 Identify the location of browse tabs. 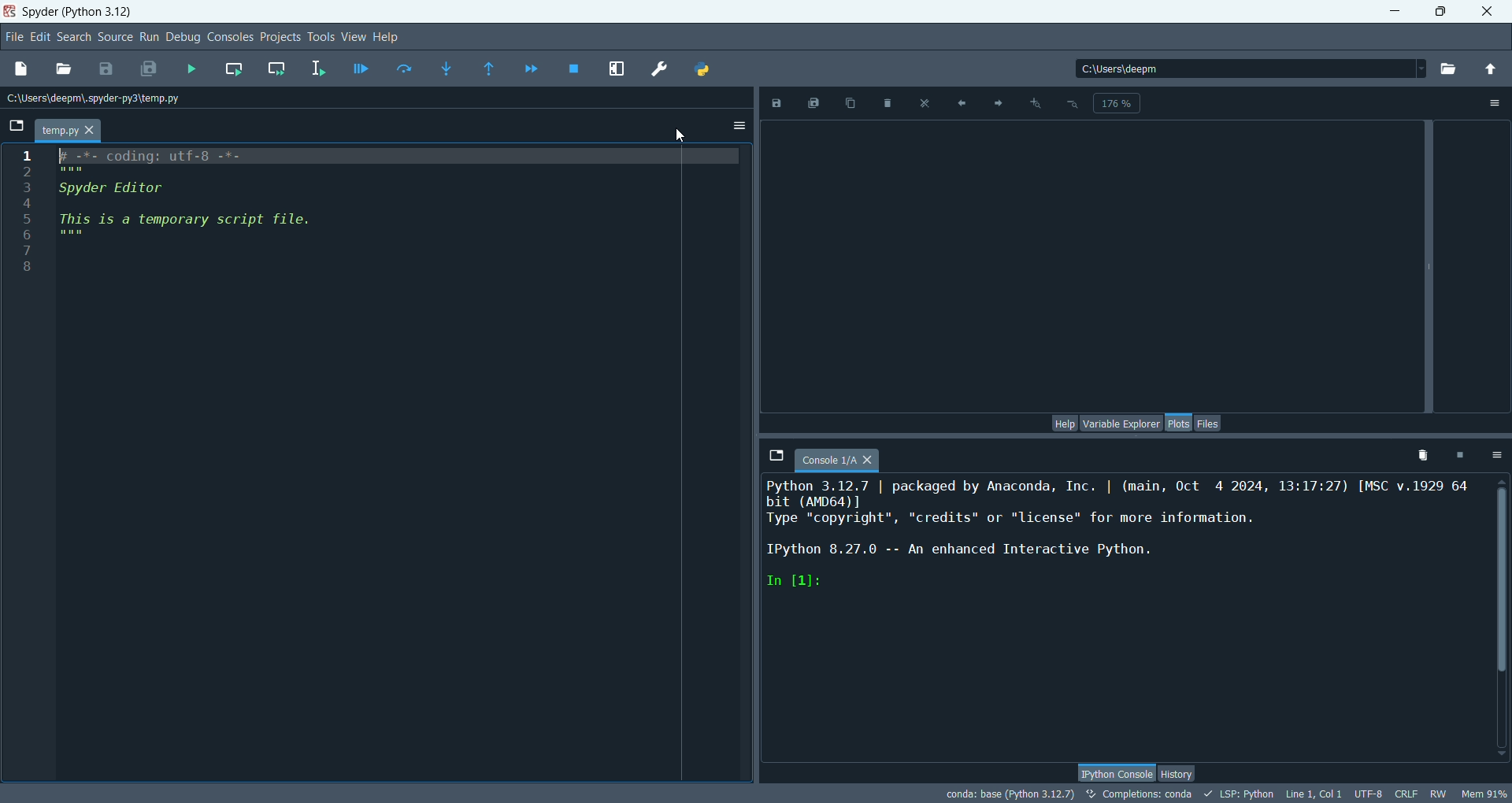
(17, 125).